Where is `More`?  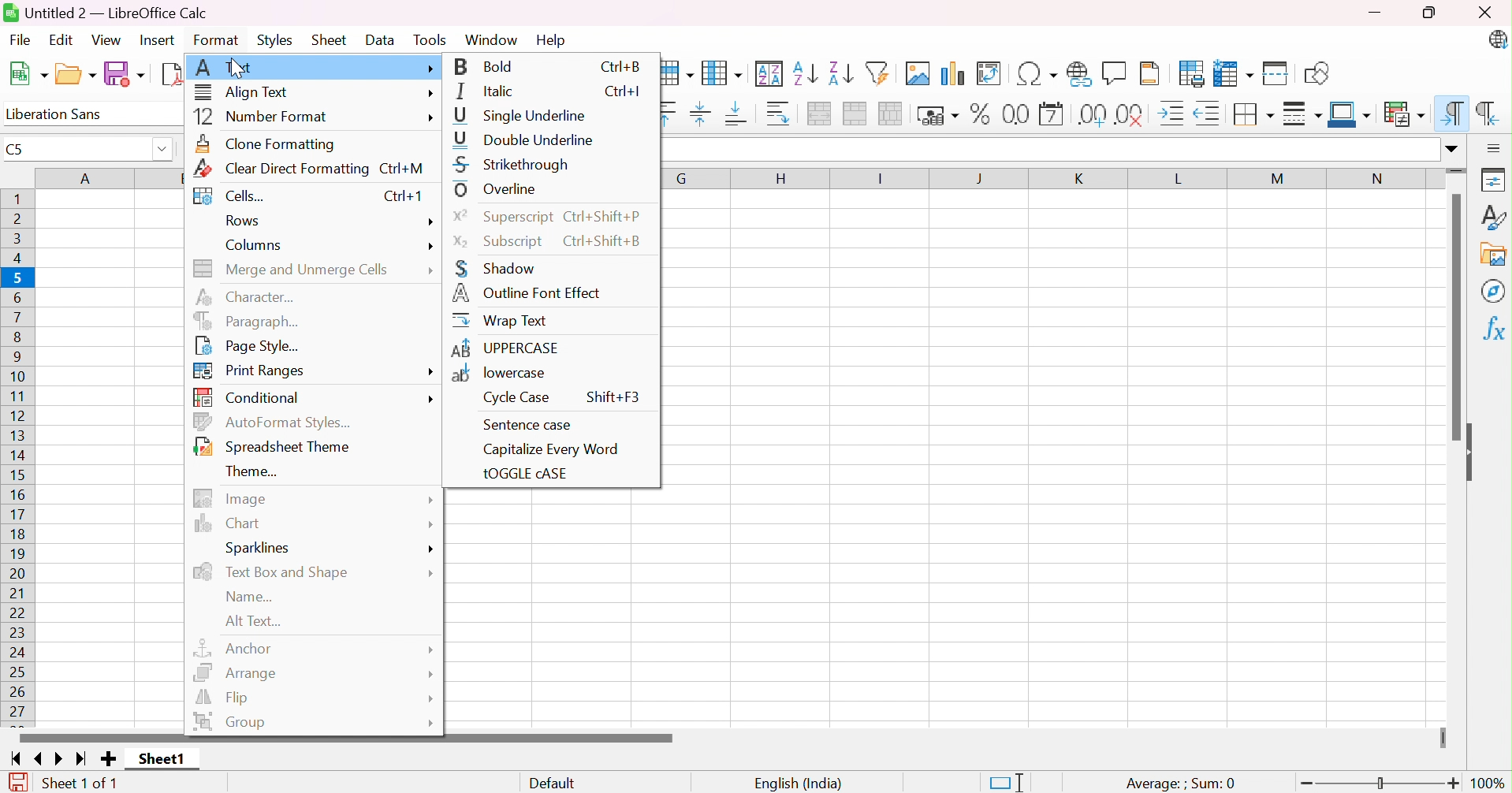
More is located at coordinates (431, 549).